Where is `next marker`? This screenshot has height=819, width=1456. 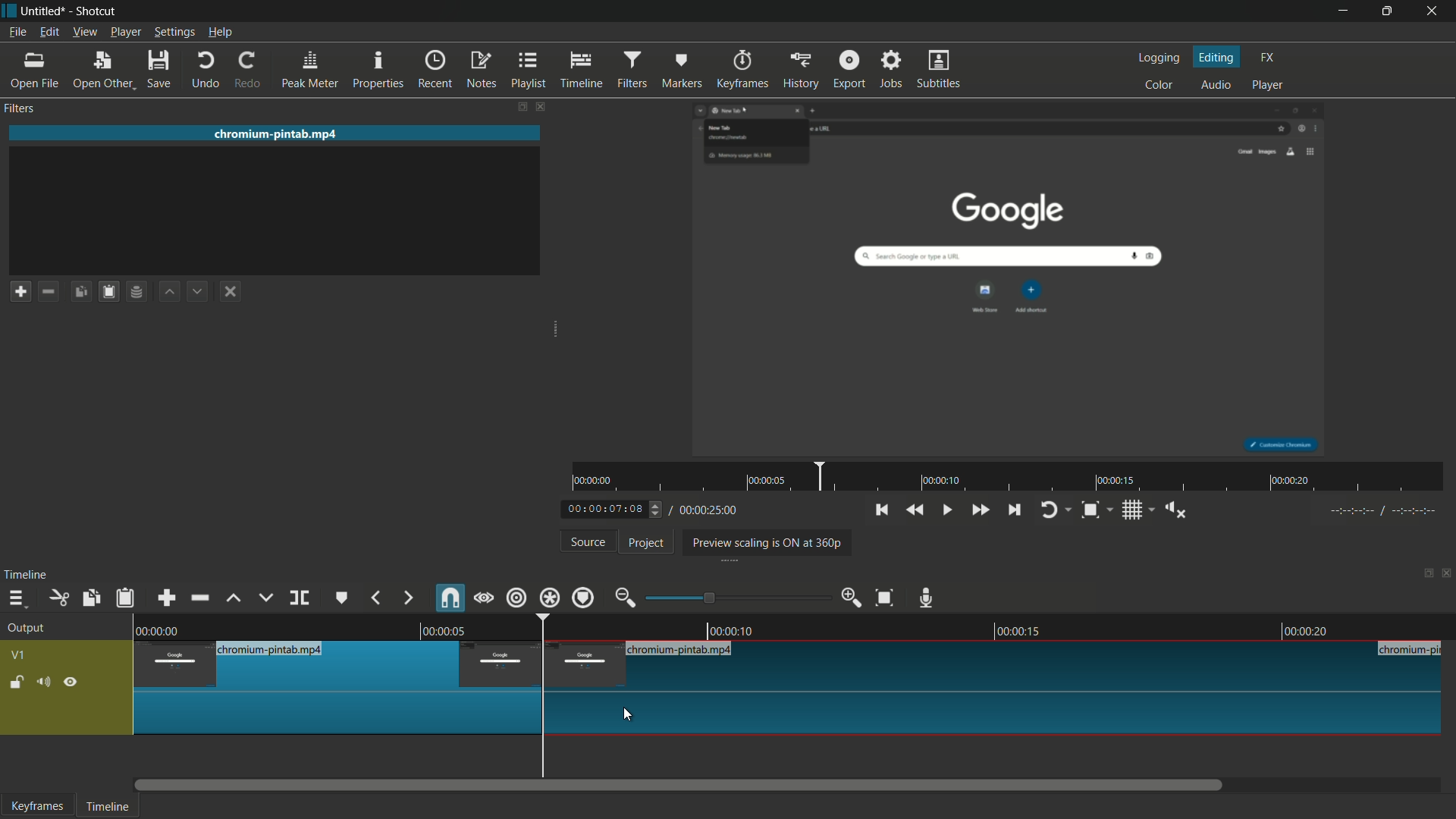
next marker is located at coordinates (409, 599).